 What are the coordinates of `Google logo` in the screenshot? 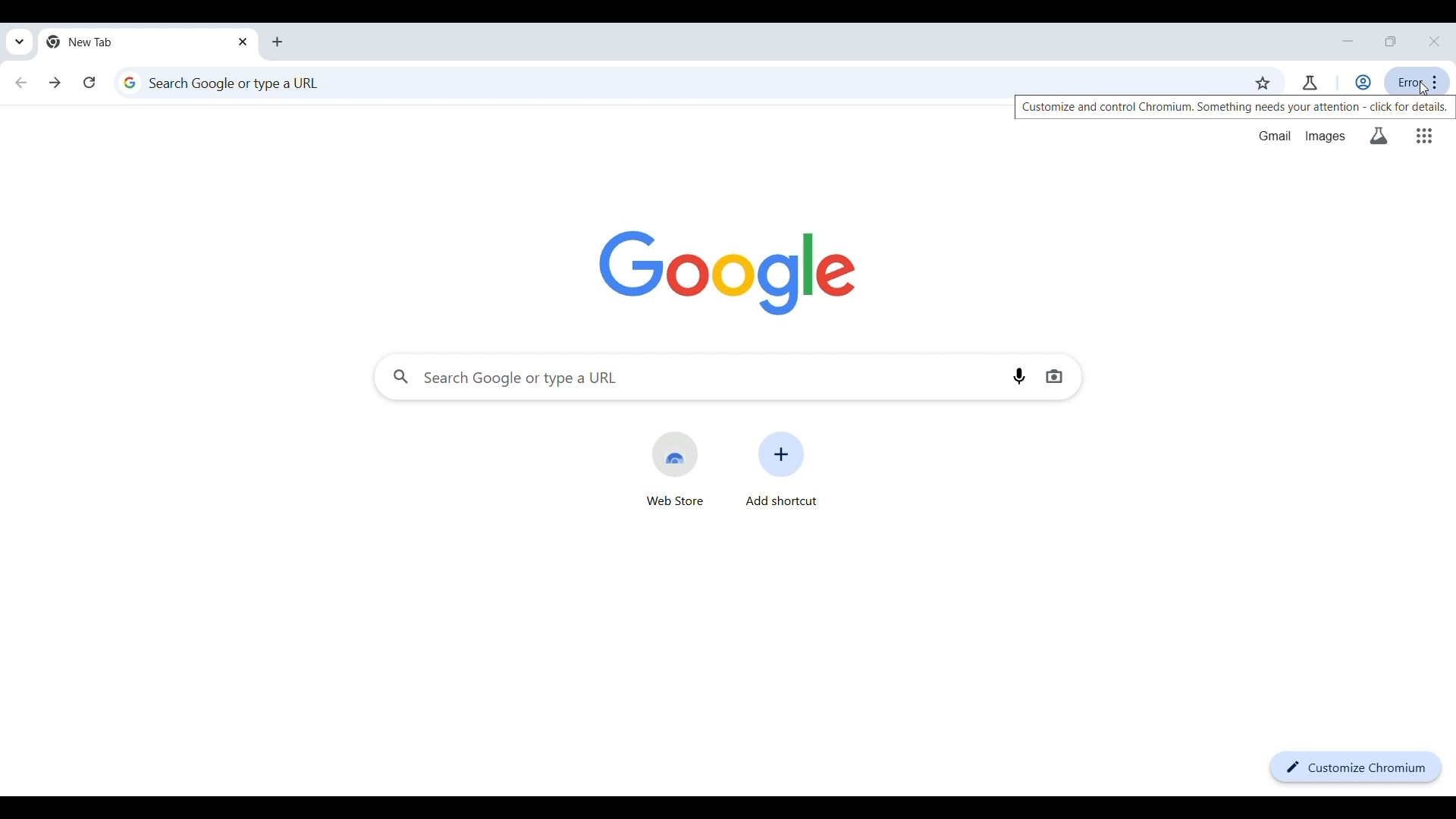 It's located at (728, 273).